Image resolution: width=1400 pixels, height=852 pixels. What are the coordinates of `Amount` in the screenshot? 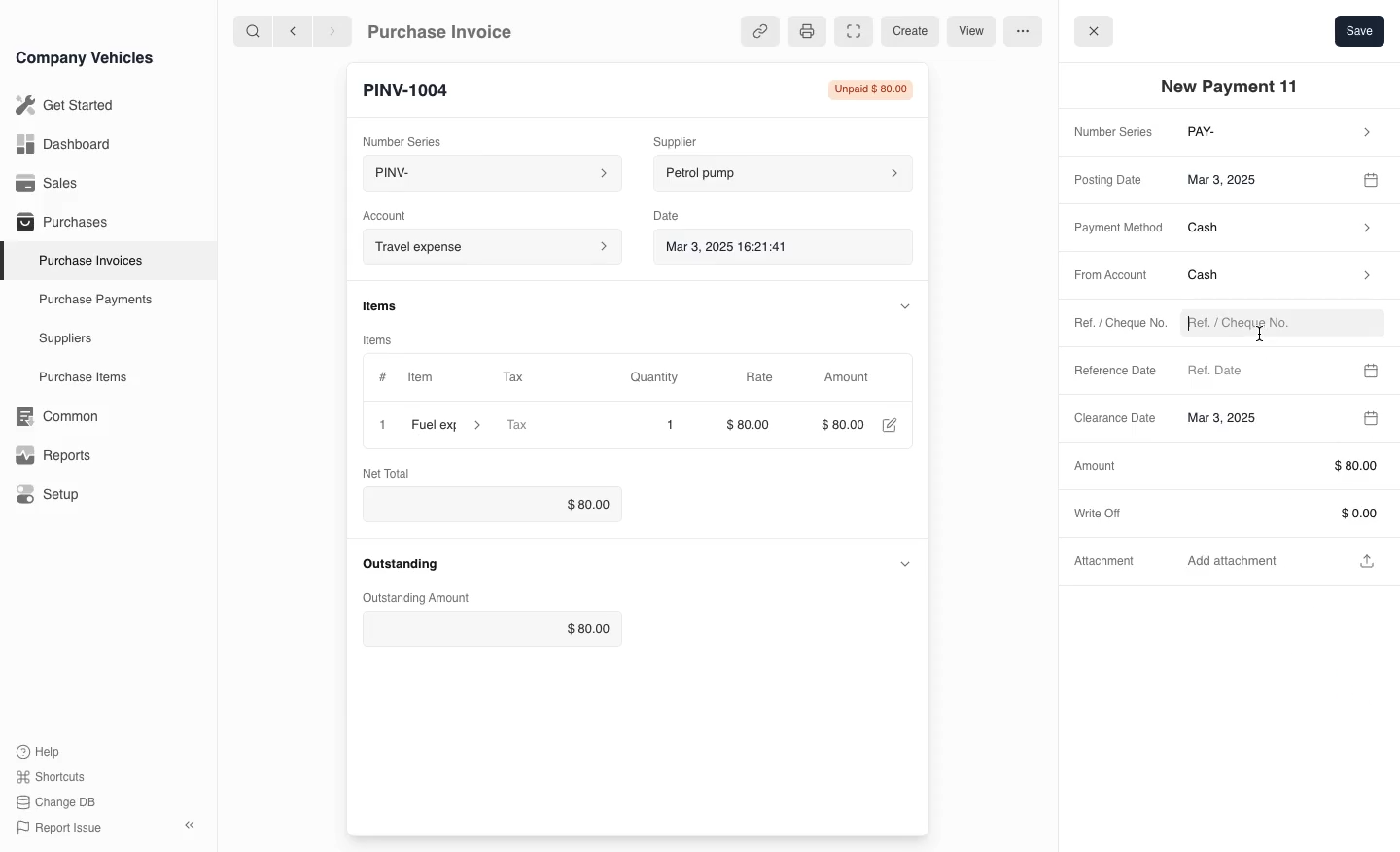 It's located at (849, 377).